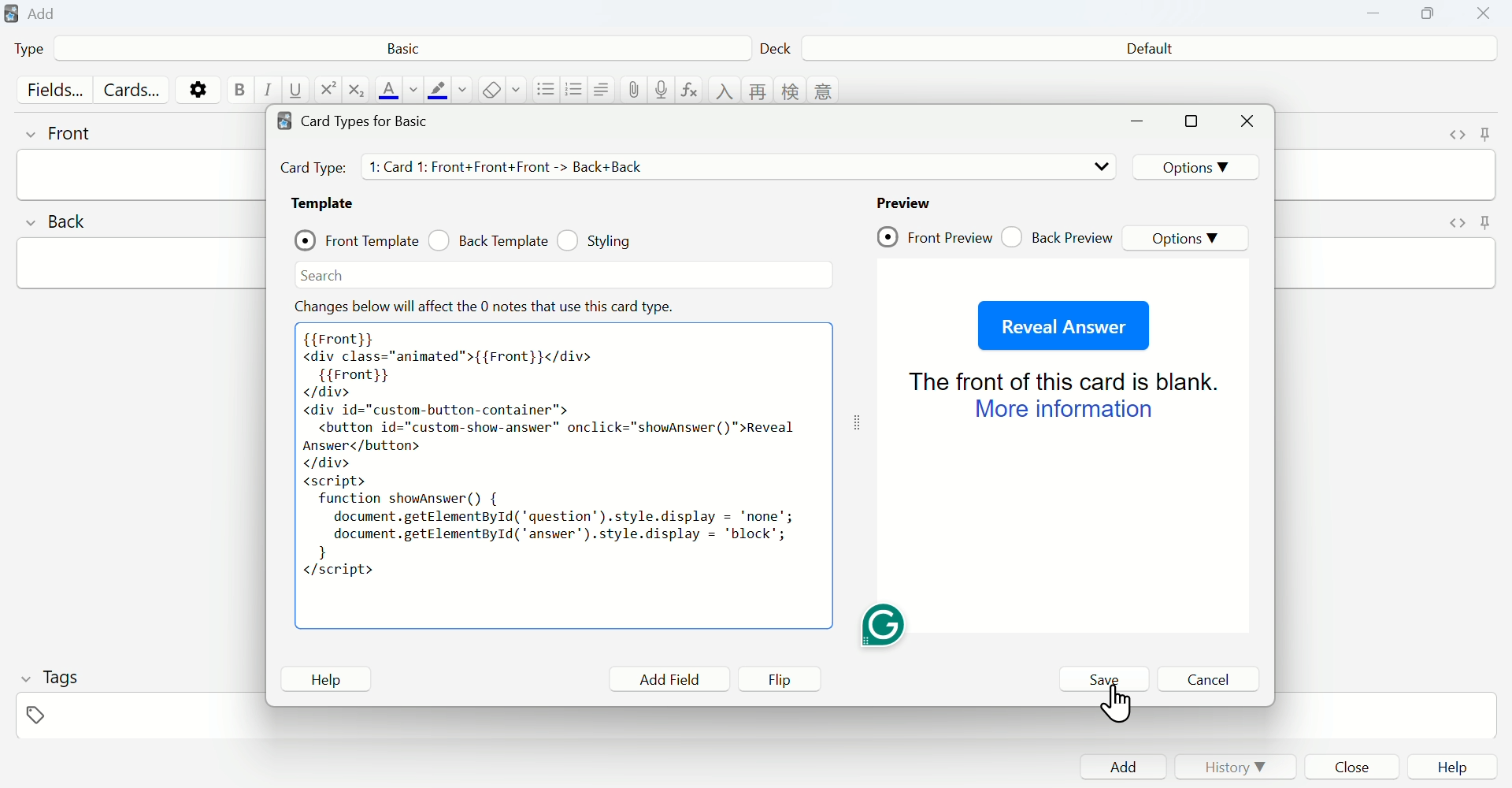 This screenshot has height=788, width=1512. Describe the element at coordinates (268, 90) in the screenshot. I see `italic text` at that location.